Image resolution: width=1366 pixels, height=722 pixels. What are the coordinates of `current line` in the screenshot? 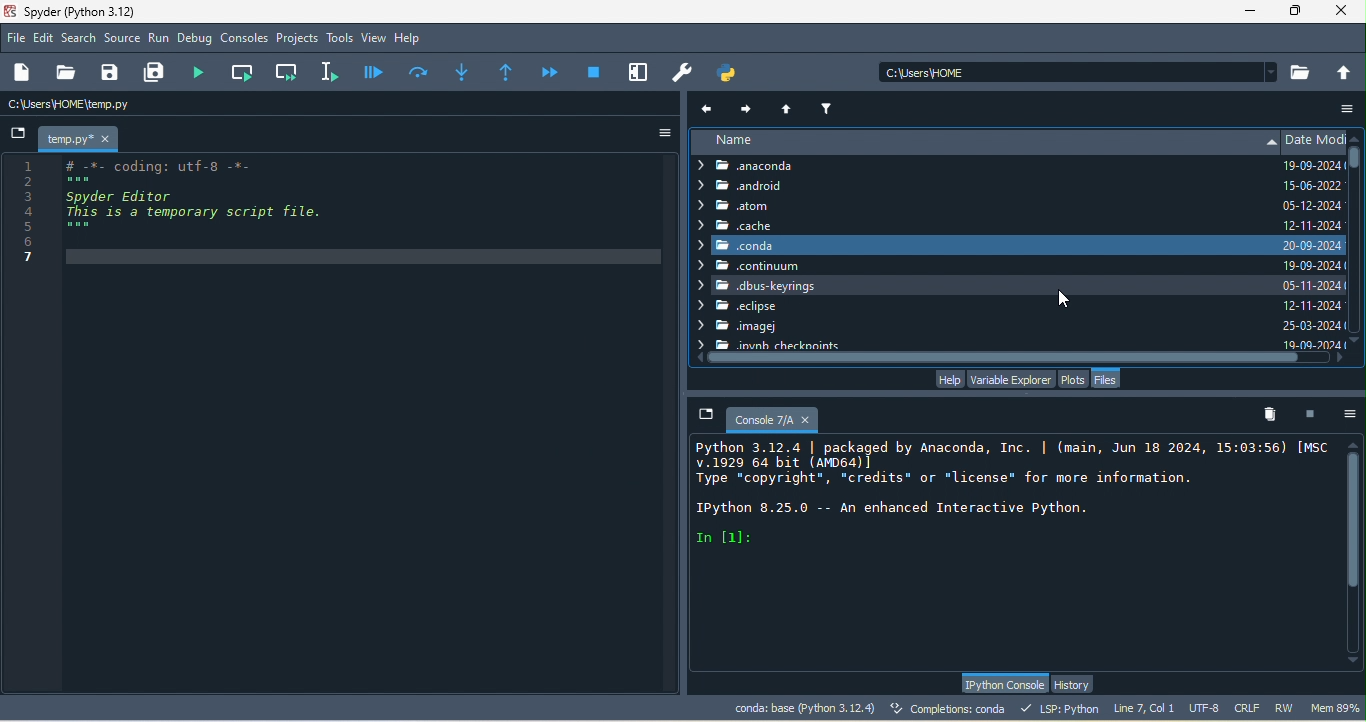 It's located at (333, 71).